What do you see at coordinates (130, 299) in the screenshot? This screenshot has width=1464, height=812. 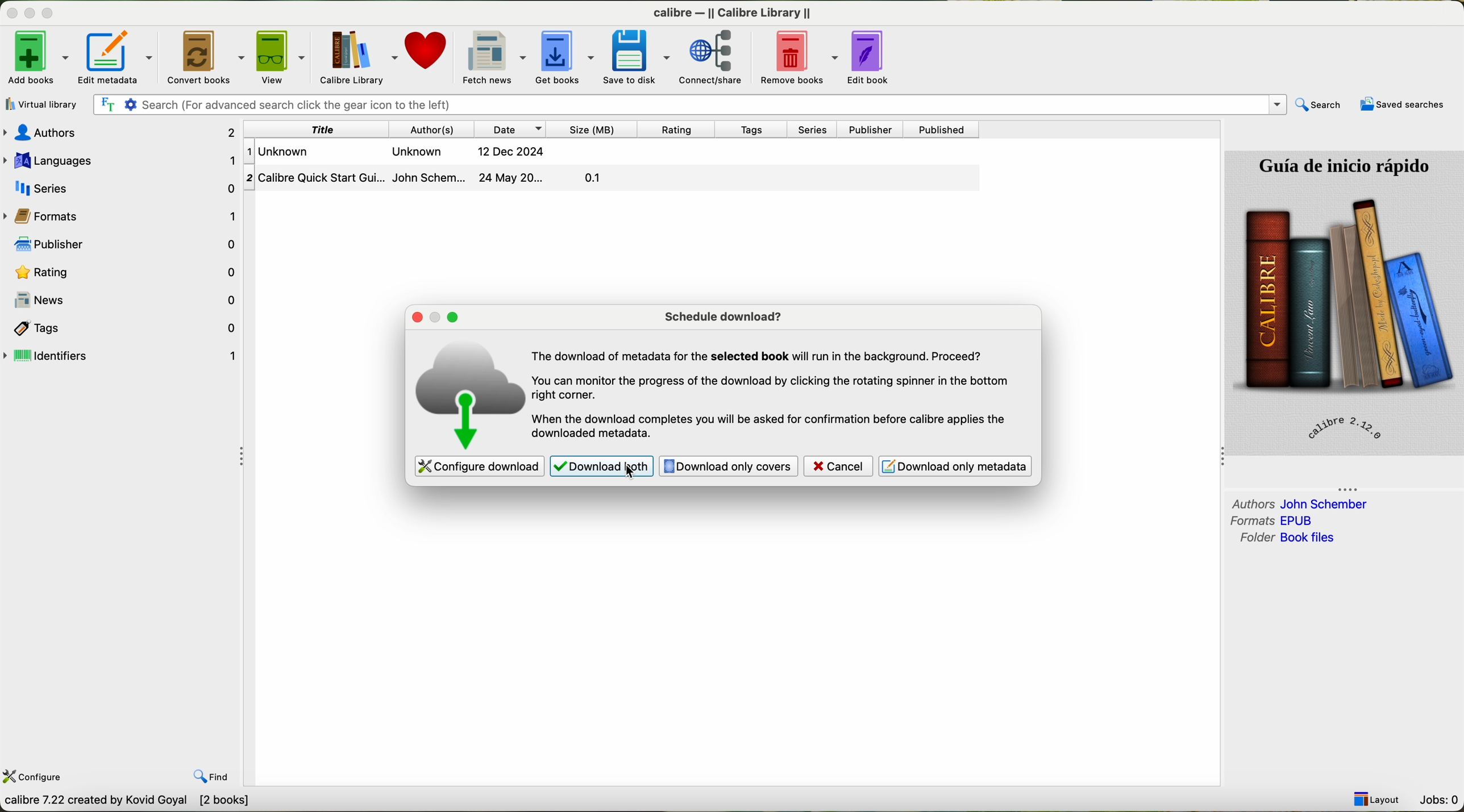 I see `news` at bounding box center [130, 299].